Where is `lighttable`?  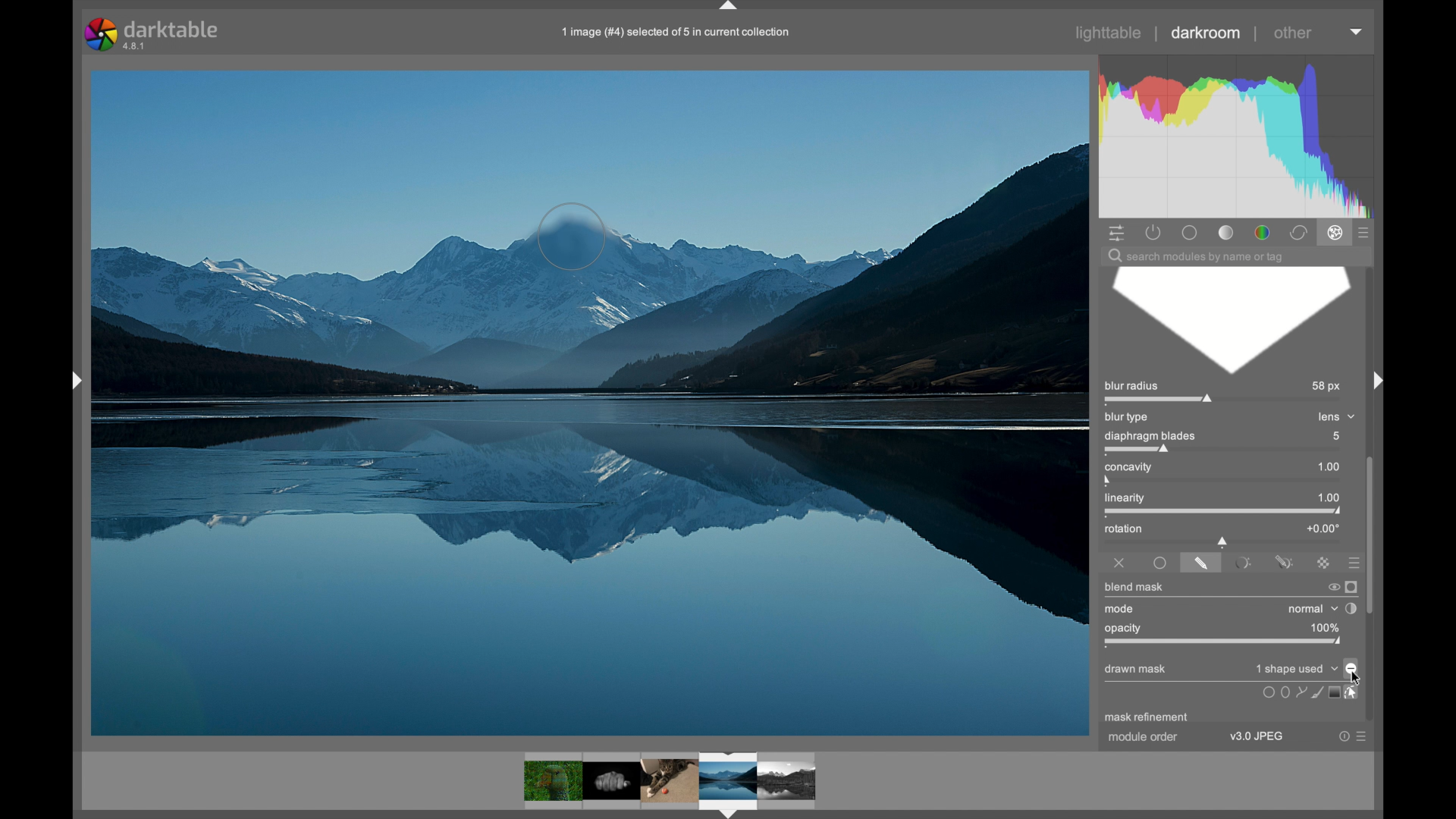 lighttable is located at coordinates (1110, 33).